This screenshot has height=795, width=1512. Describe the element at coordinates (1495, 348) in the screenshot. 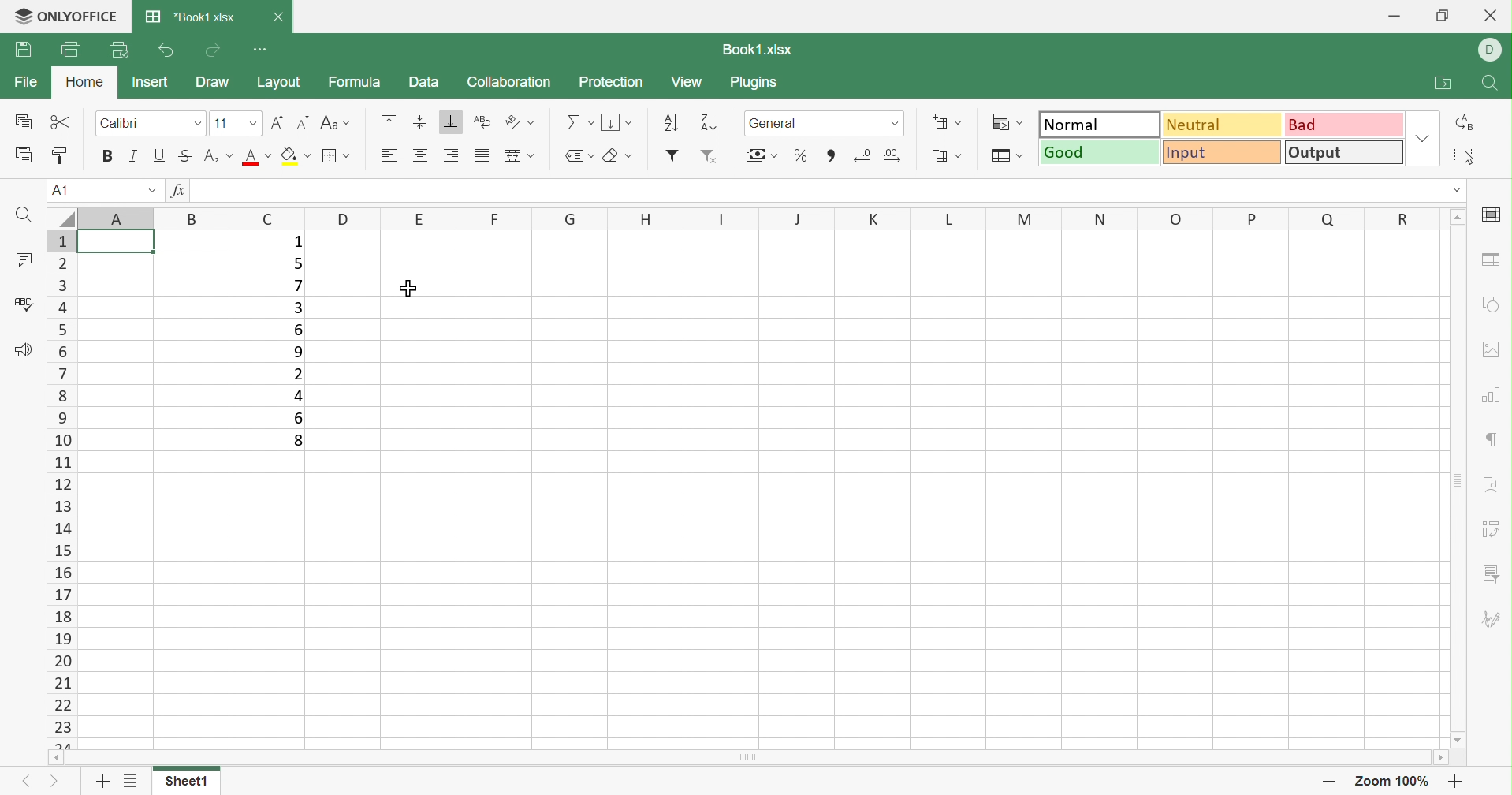

I see `Image settings` at that location.